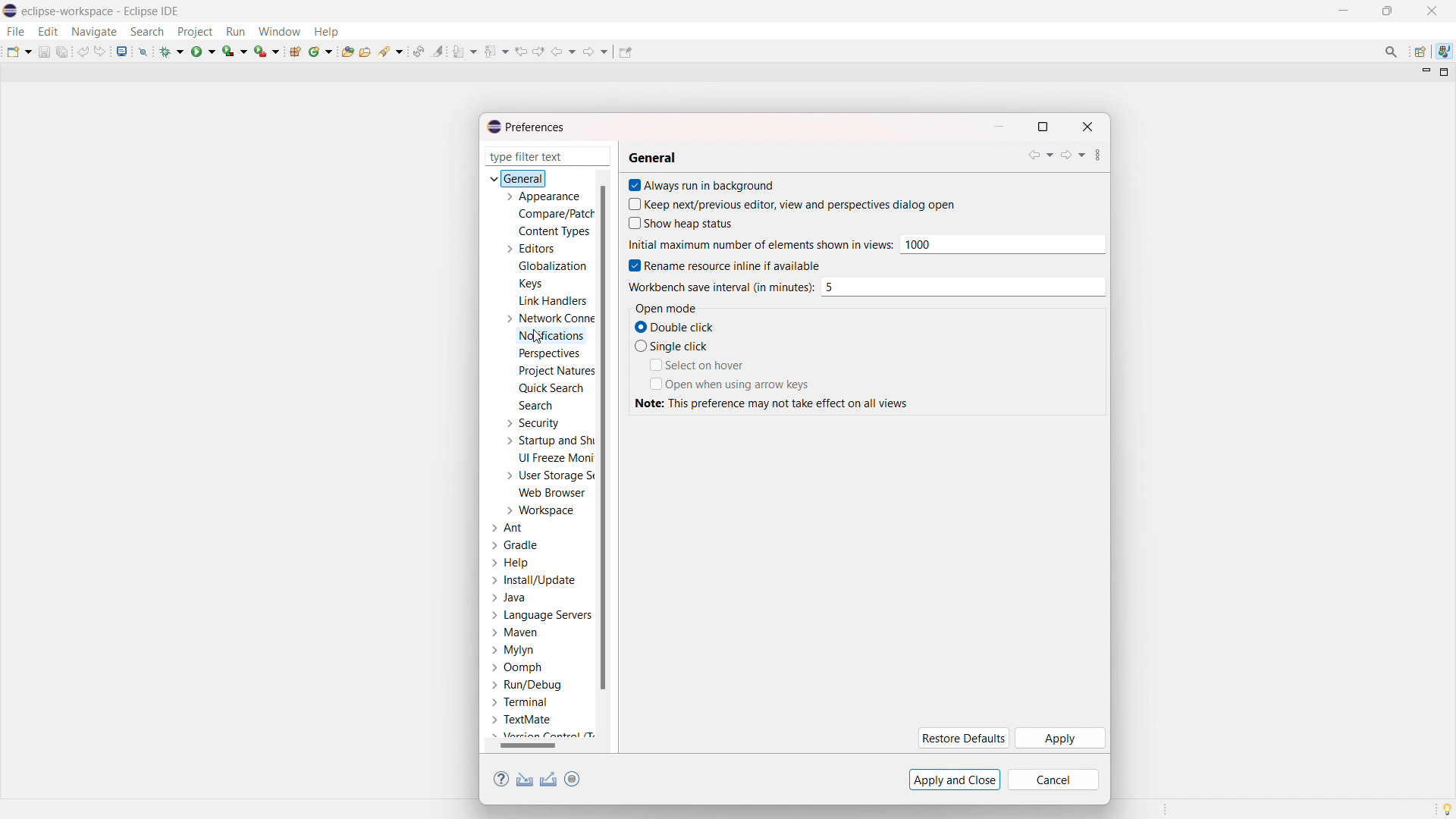  What do you see at coordinates (549, 780) in the screenshot?
I see `export` at bounding box center [549, 780].